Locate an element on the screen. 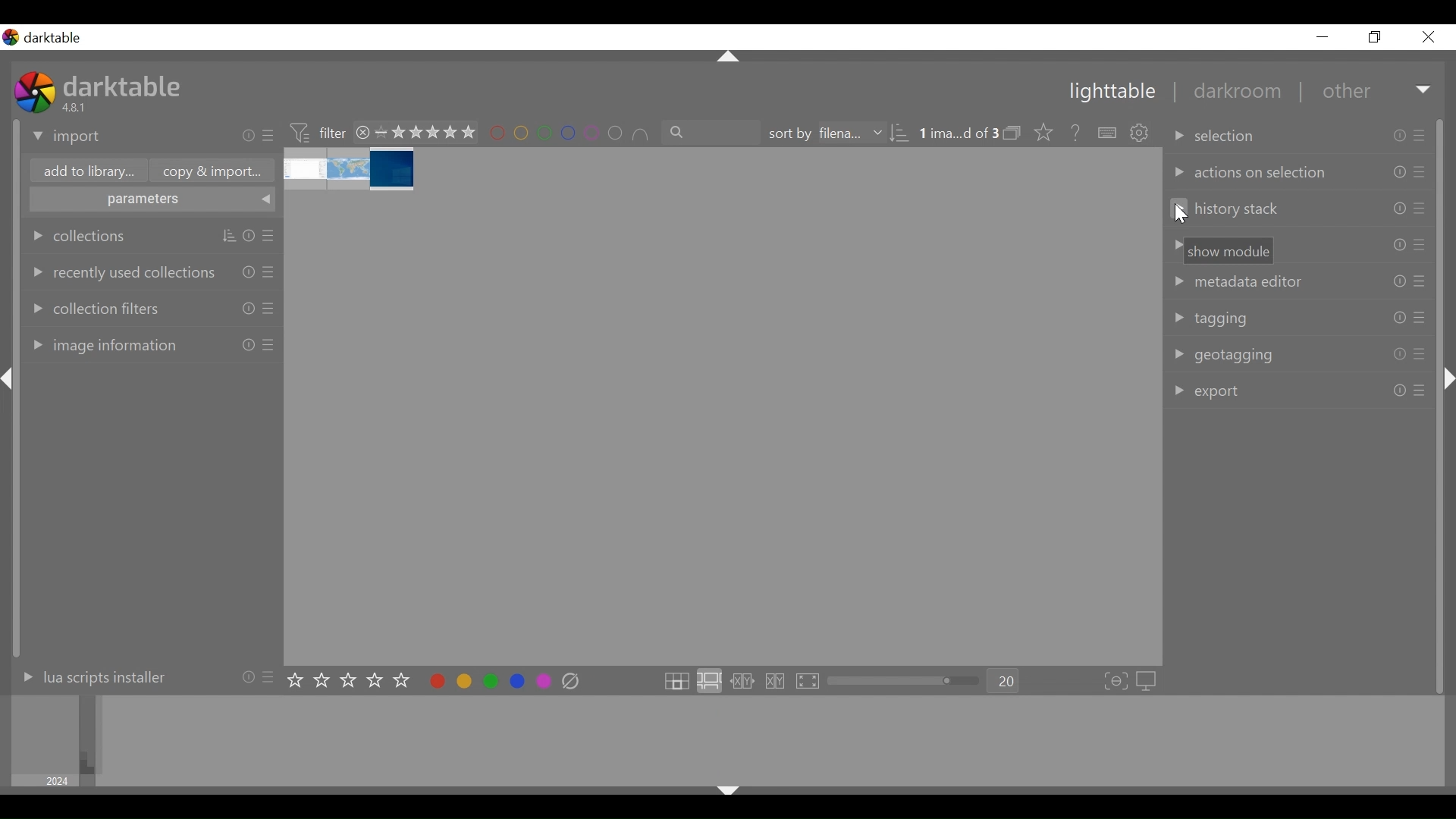 The image size is (1456, 819). image information is located at coordinates (102, 344).